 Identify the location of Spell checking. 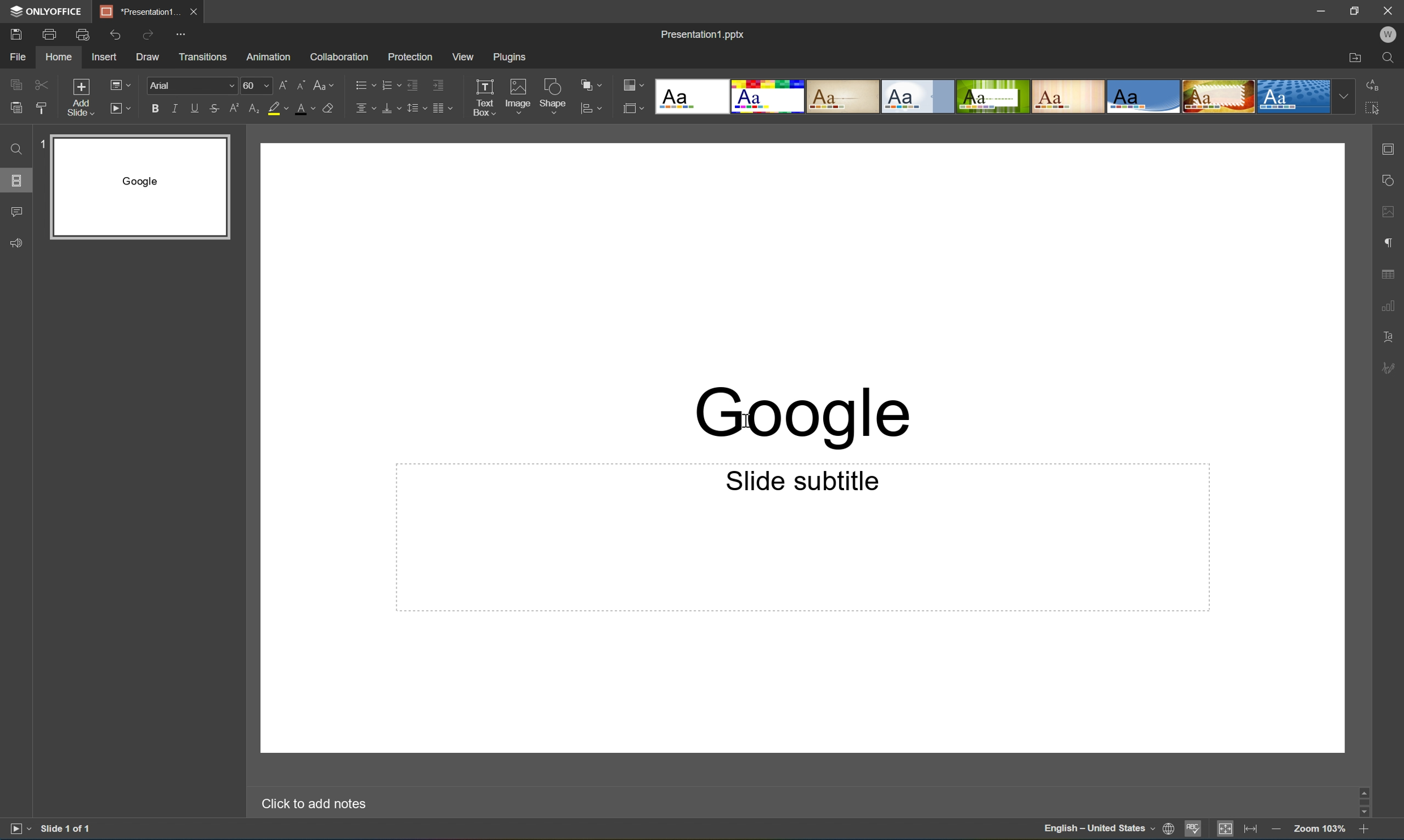
(1194, 830).